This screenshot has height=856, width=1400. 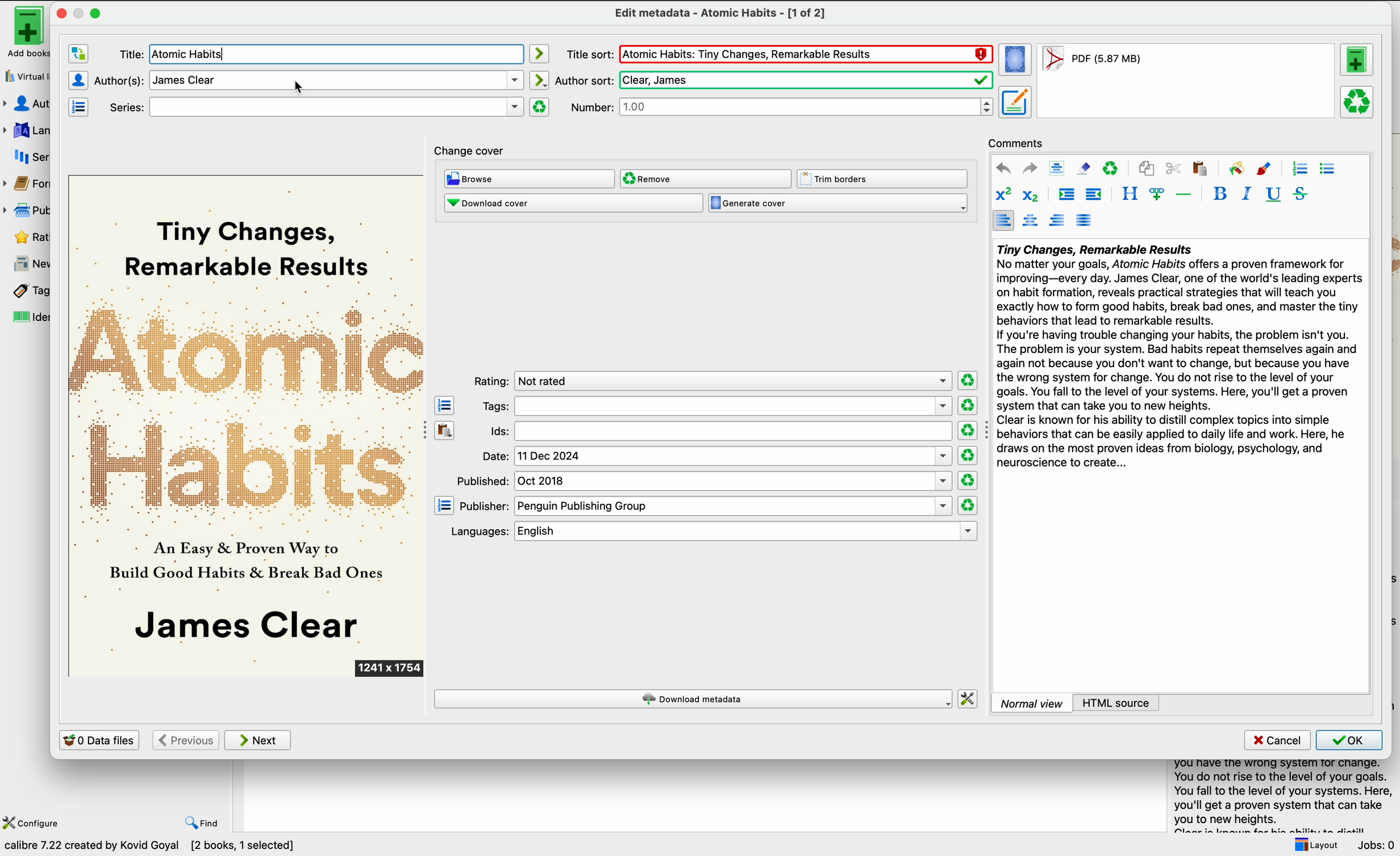 I want to click on publisher, so click(x=705, y=506).